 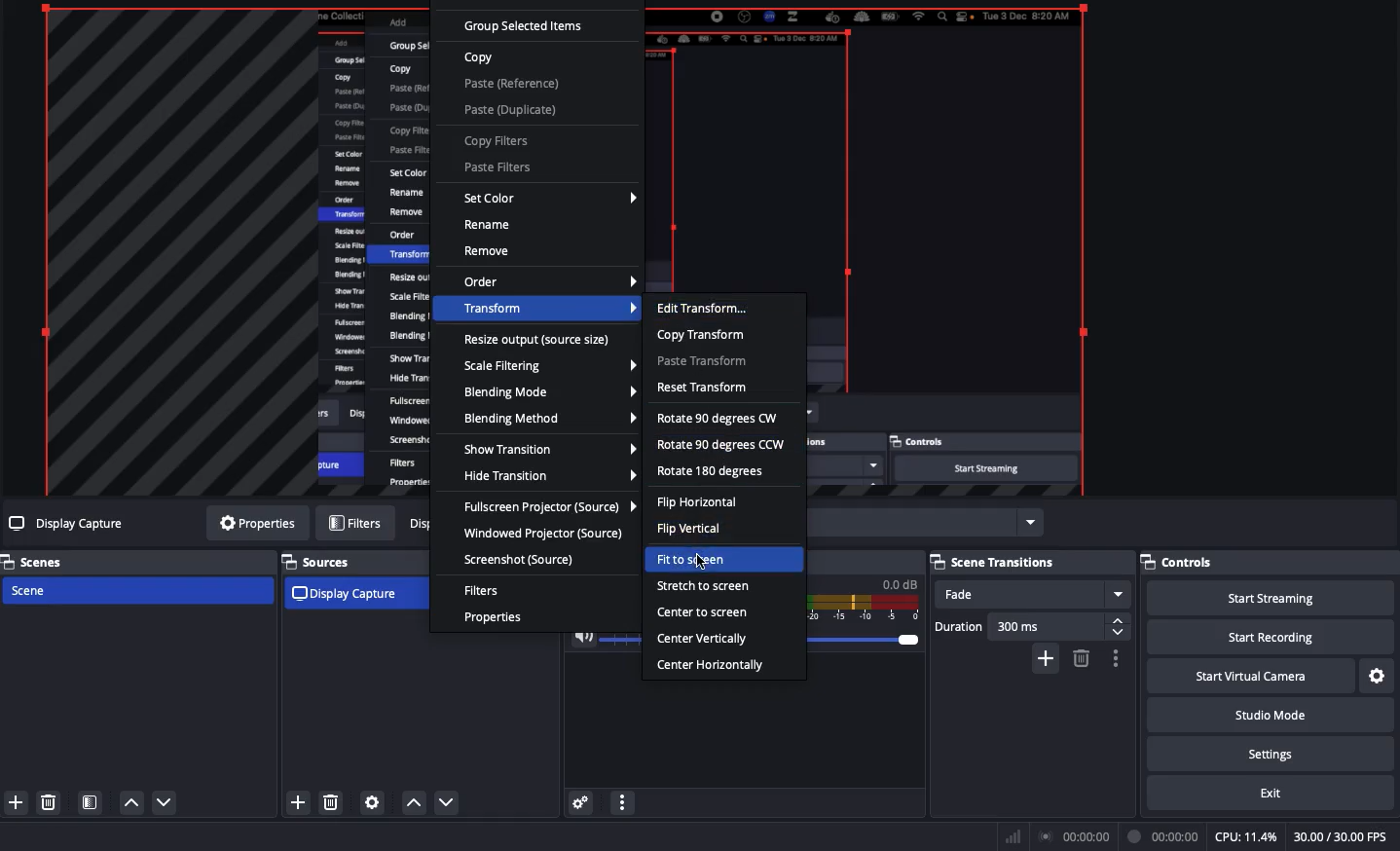 I want to click on Paste transform, so click(x=704, y=363).